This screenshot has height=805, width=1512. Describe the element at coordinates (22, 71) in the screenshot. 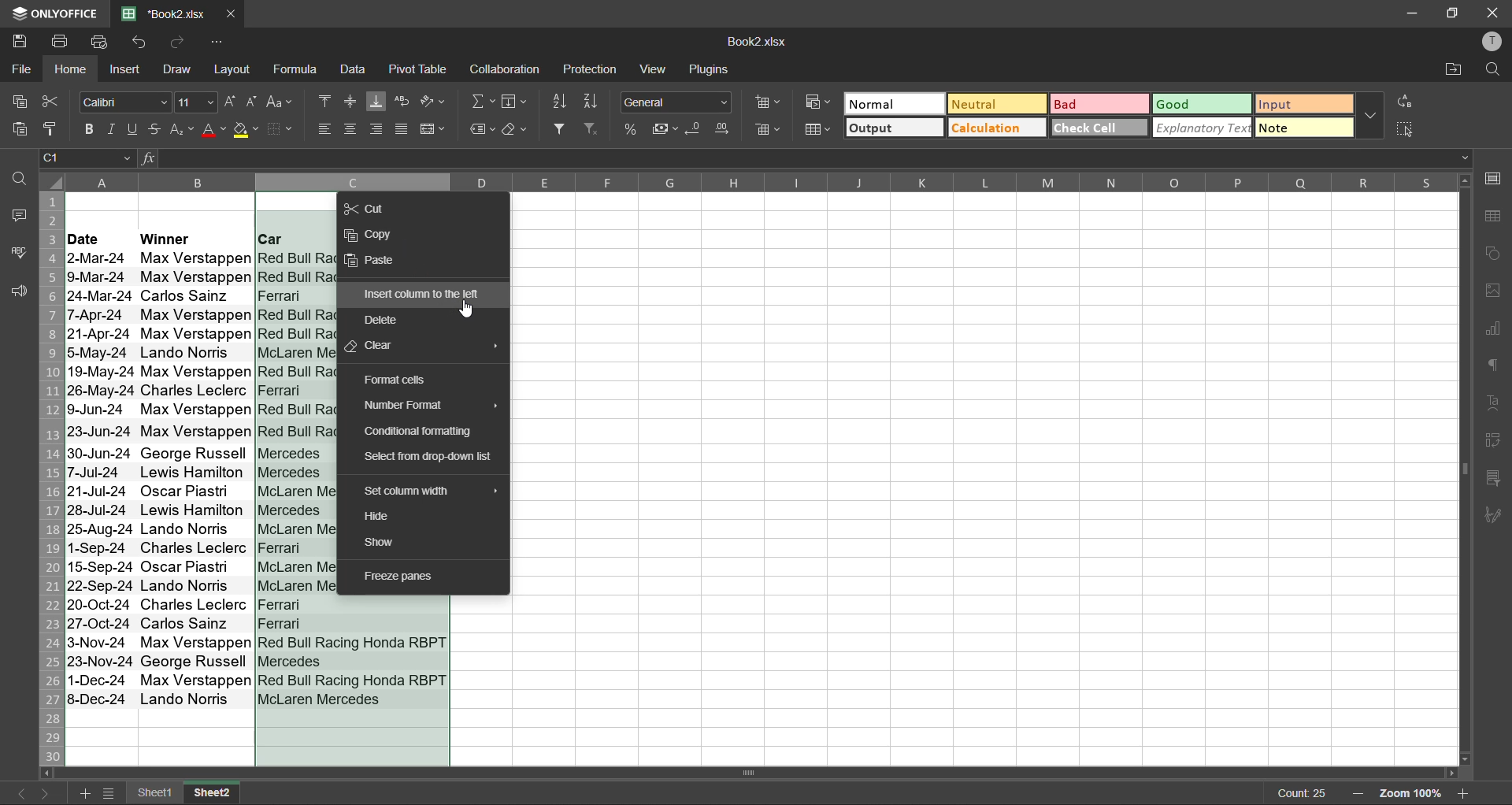

I see `file` at that location.